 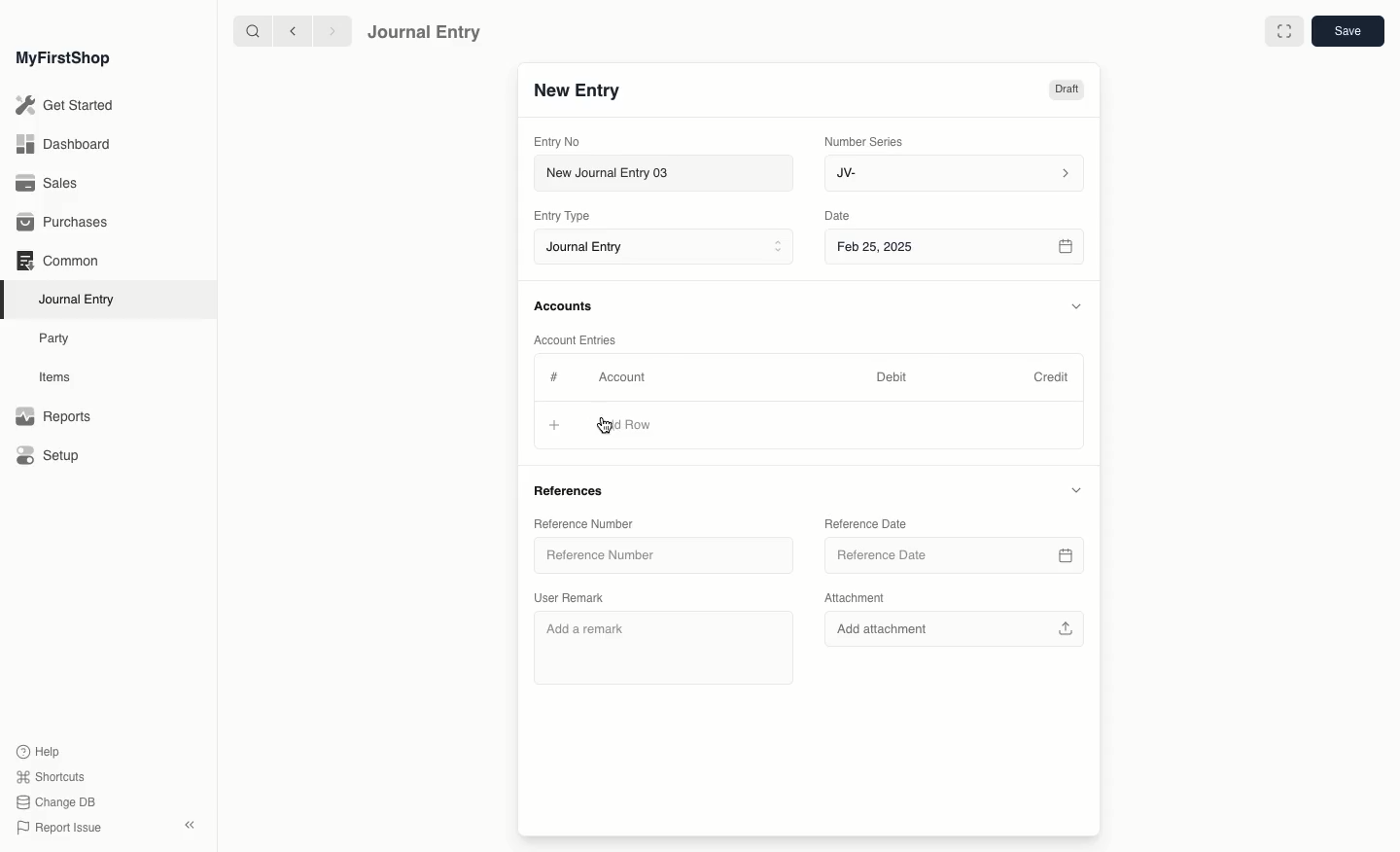 What do you see at coordinates (56, 261) in the screenshot?
I see `Common` at bounding box center [56, 261].